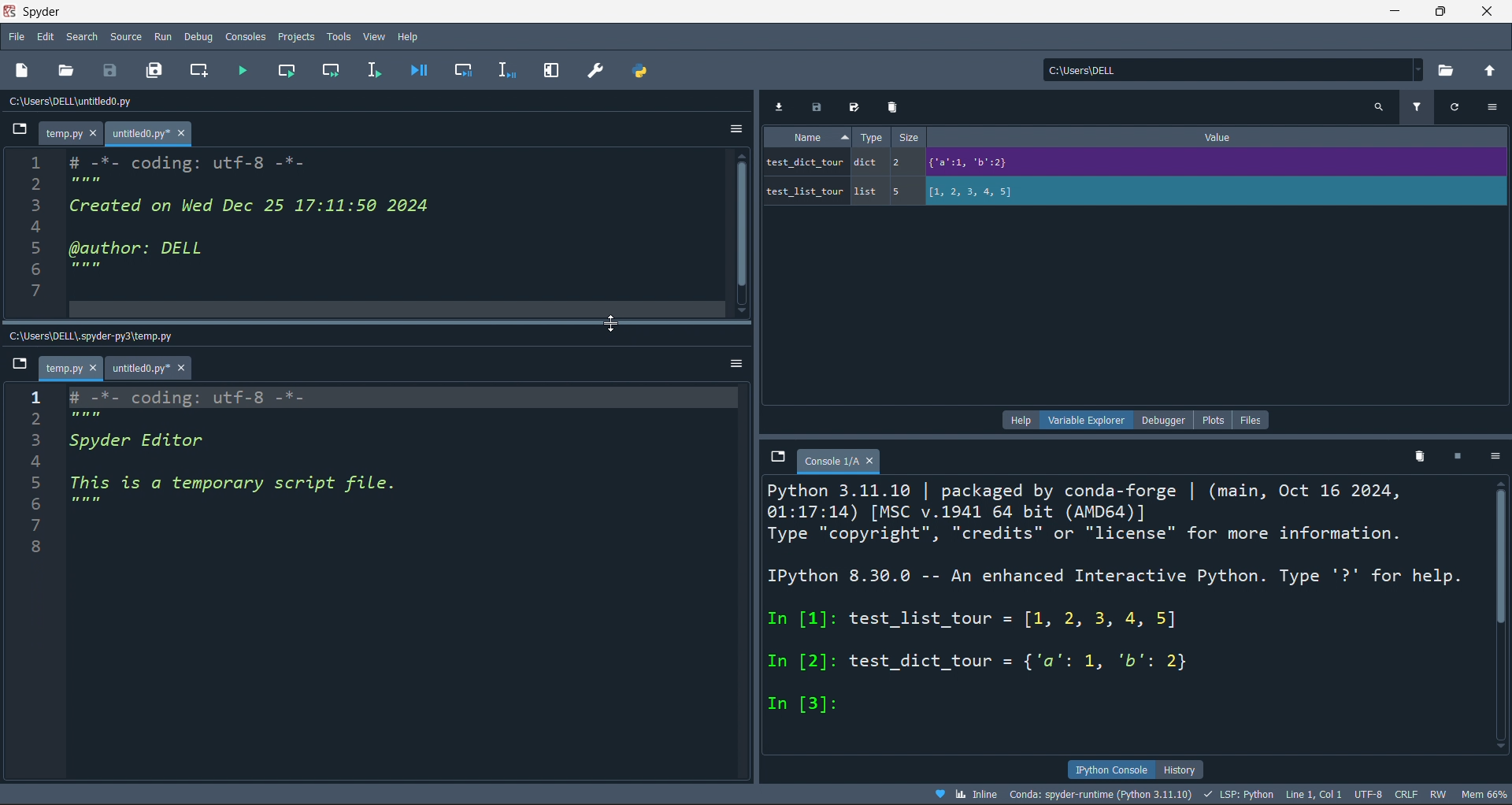 The width and height of the screenshot is (1512, 805). I want to click on ipython console, so click(1107, 768).